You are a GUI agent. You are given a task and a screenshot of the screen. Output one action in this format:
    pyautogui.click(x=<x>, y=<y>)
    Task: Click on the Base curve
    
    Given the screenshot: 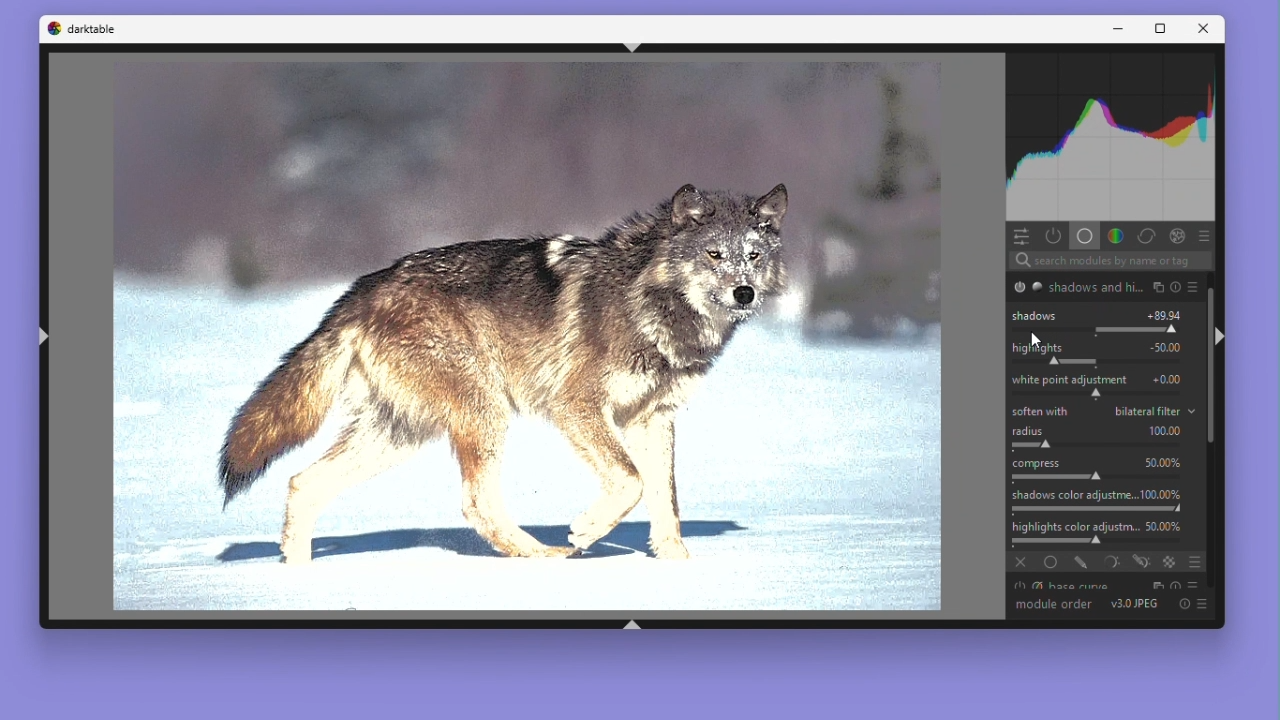 What is the action you would take?
    pyautogui.click(x=1084, y=585)
    